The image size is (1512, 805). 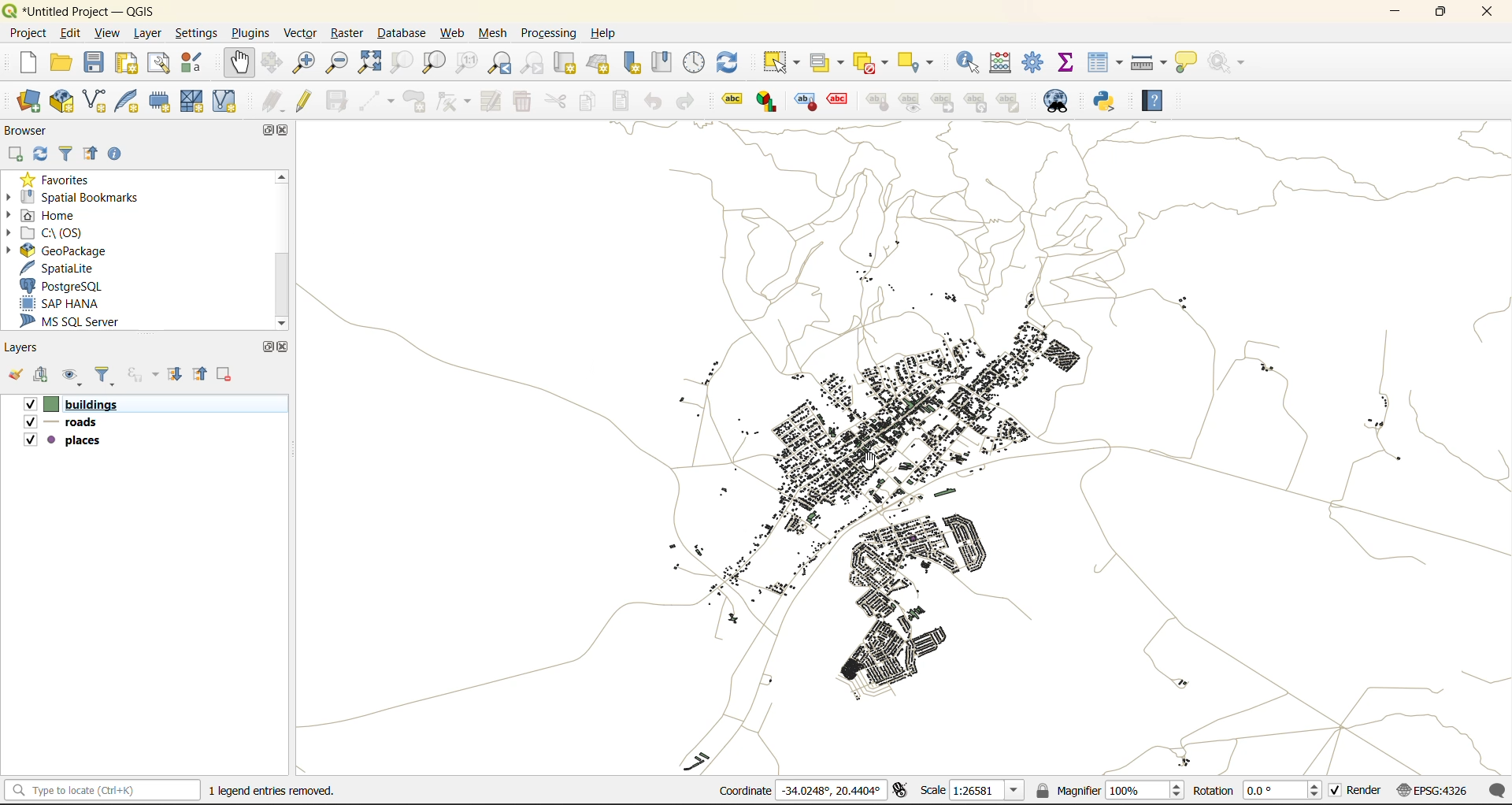 I want to click on filter by expression, so click(x=144, y=376).